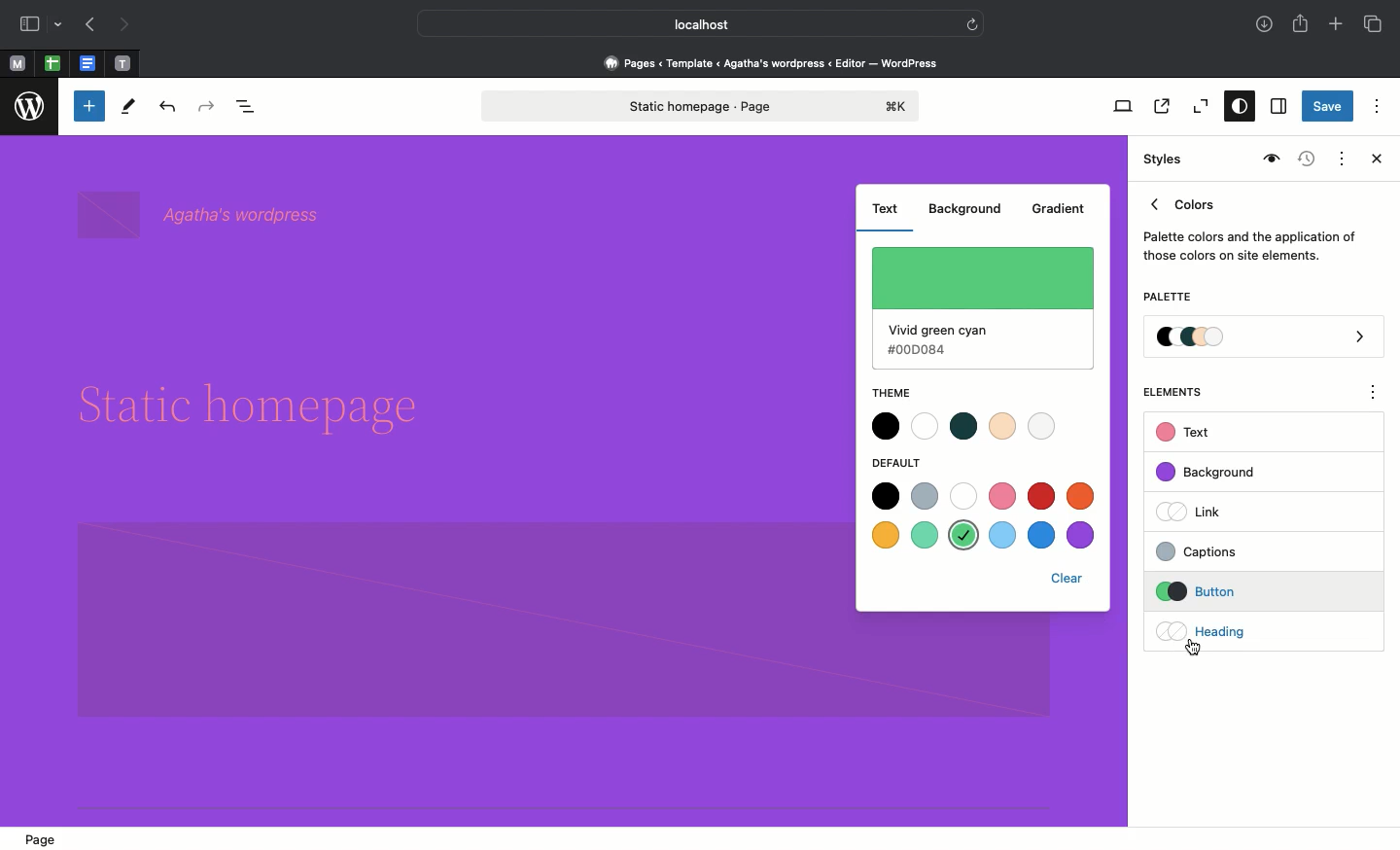 Image resolution: width=1400 pixels, height=850 pixels. I want to click on Default, so click(906, 462).